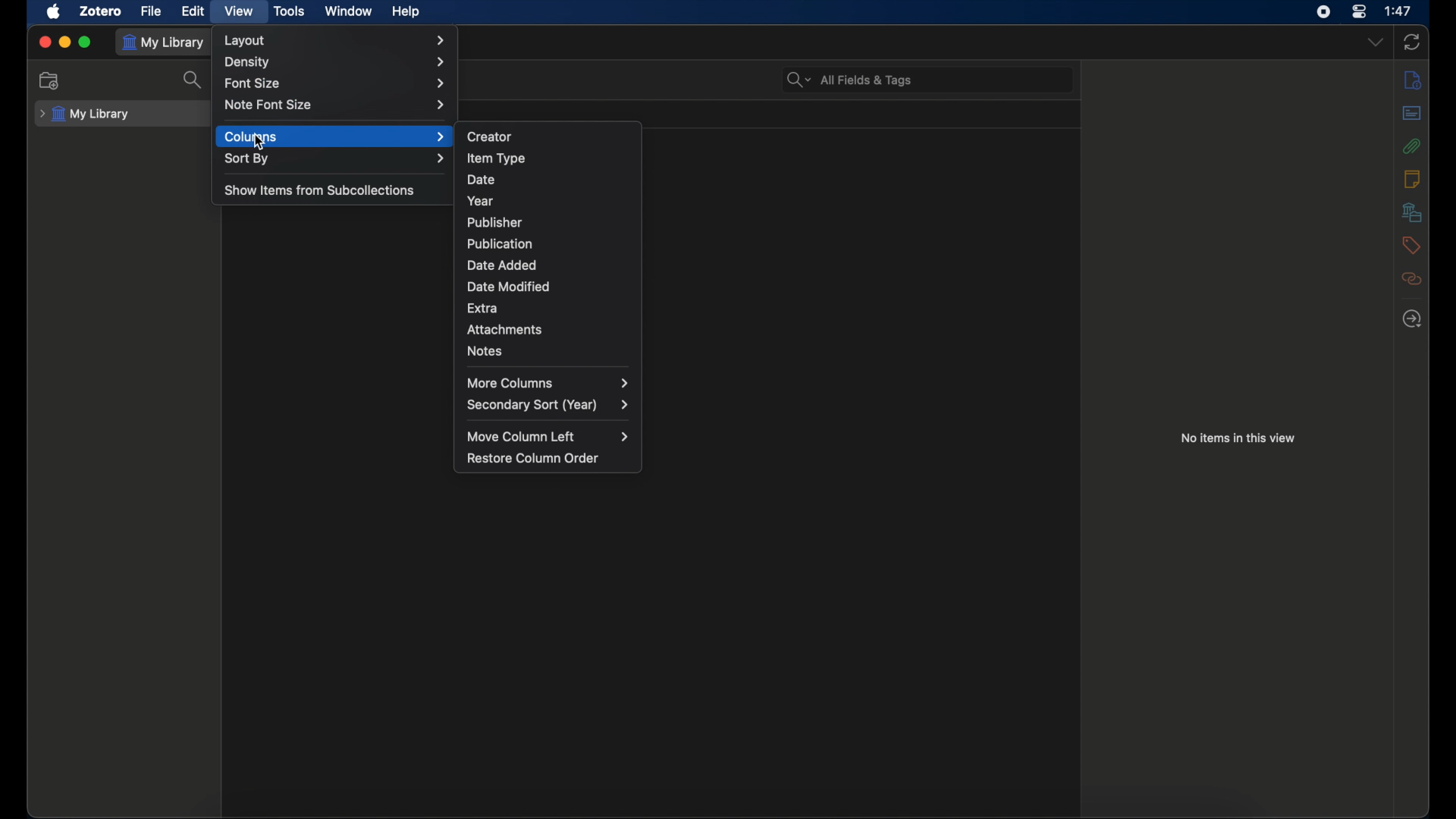 This screenshot has width=1456, height=819. I want to click on tags, so click(1410, 244).